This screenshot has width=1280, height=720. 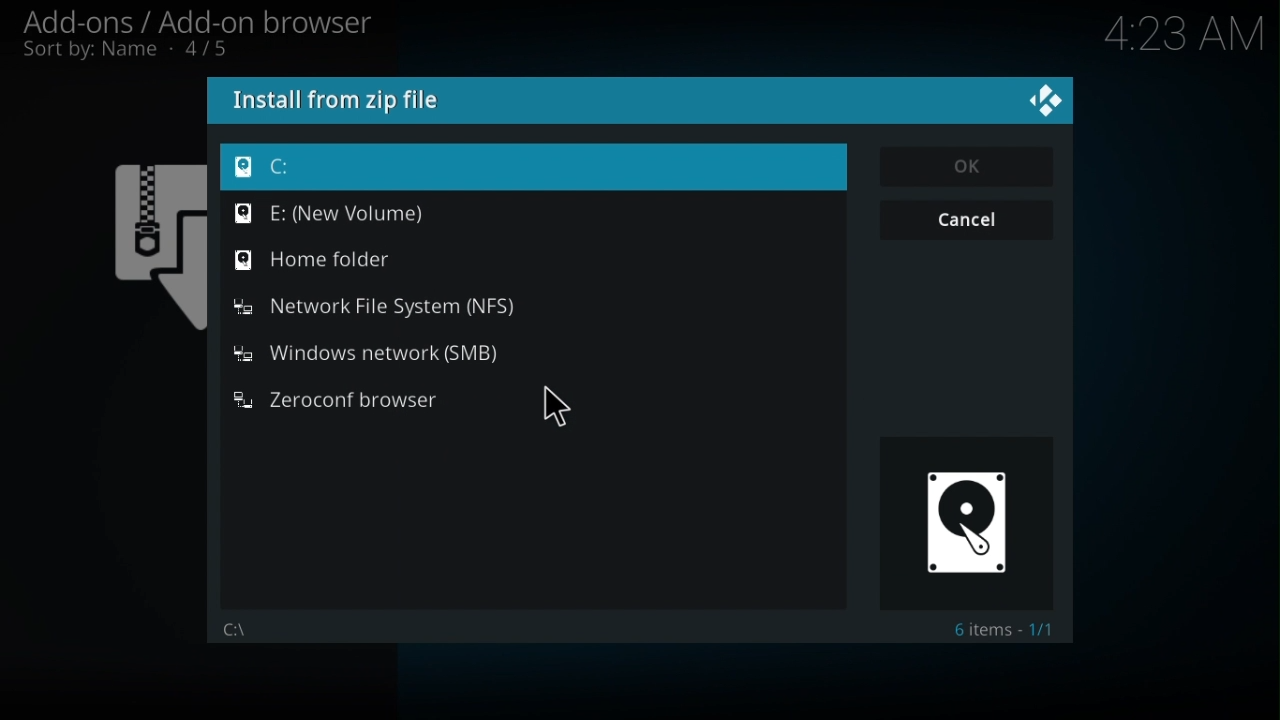 What do you see at coordinates (379, 308) in the screenshot?
I see `Network file system` at bounding box center [379, 308].